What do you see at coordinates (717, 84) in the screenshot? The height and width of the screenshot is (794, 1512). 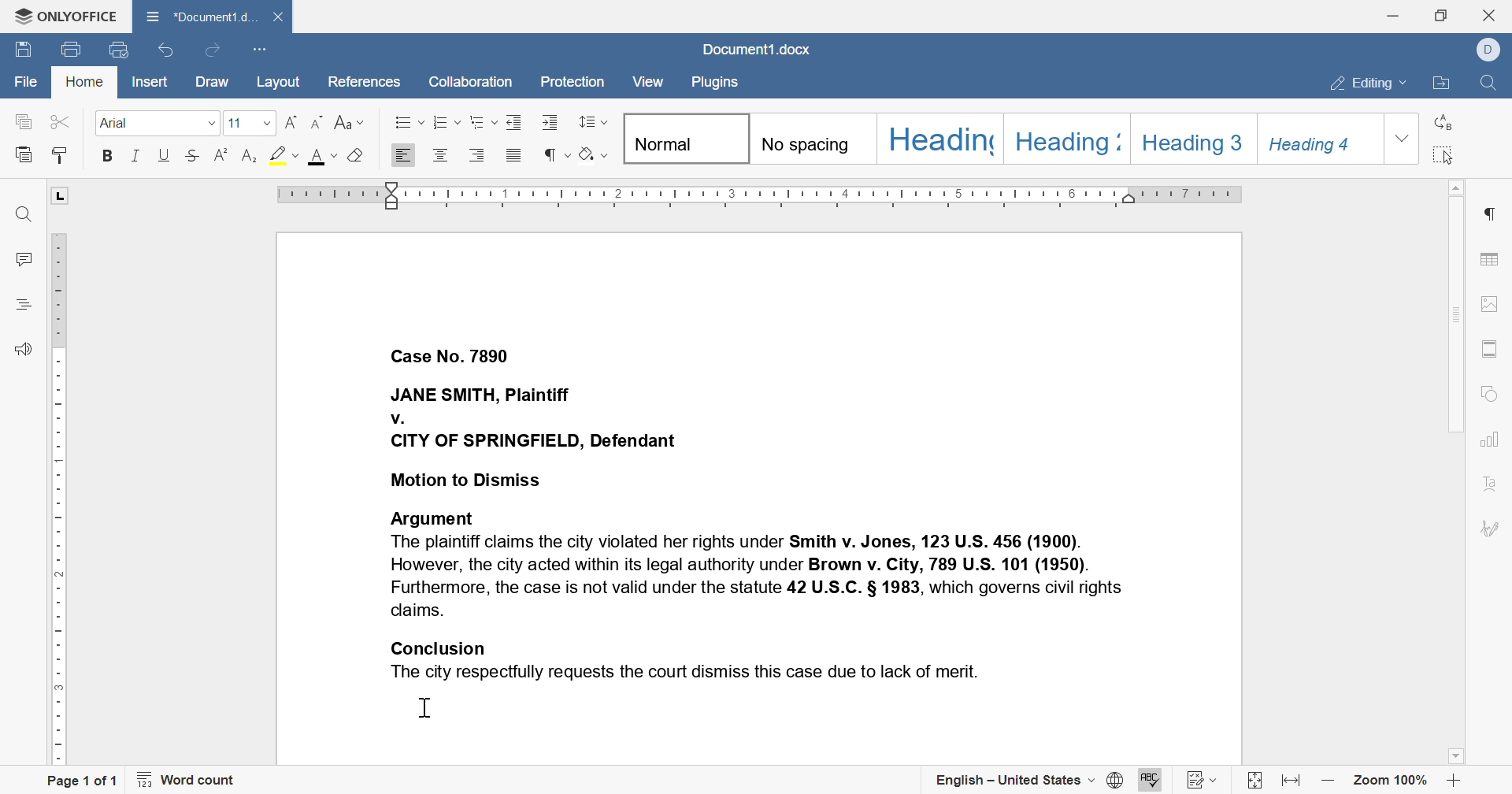 I see `plugins` at bounding box center [717, 84].